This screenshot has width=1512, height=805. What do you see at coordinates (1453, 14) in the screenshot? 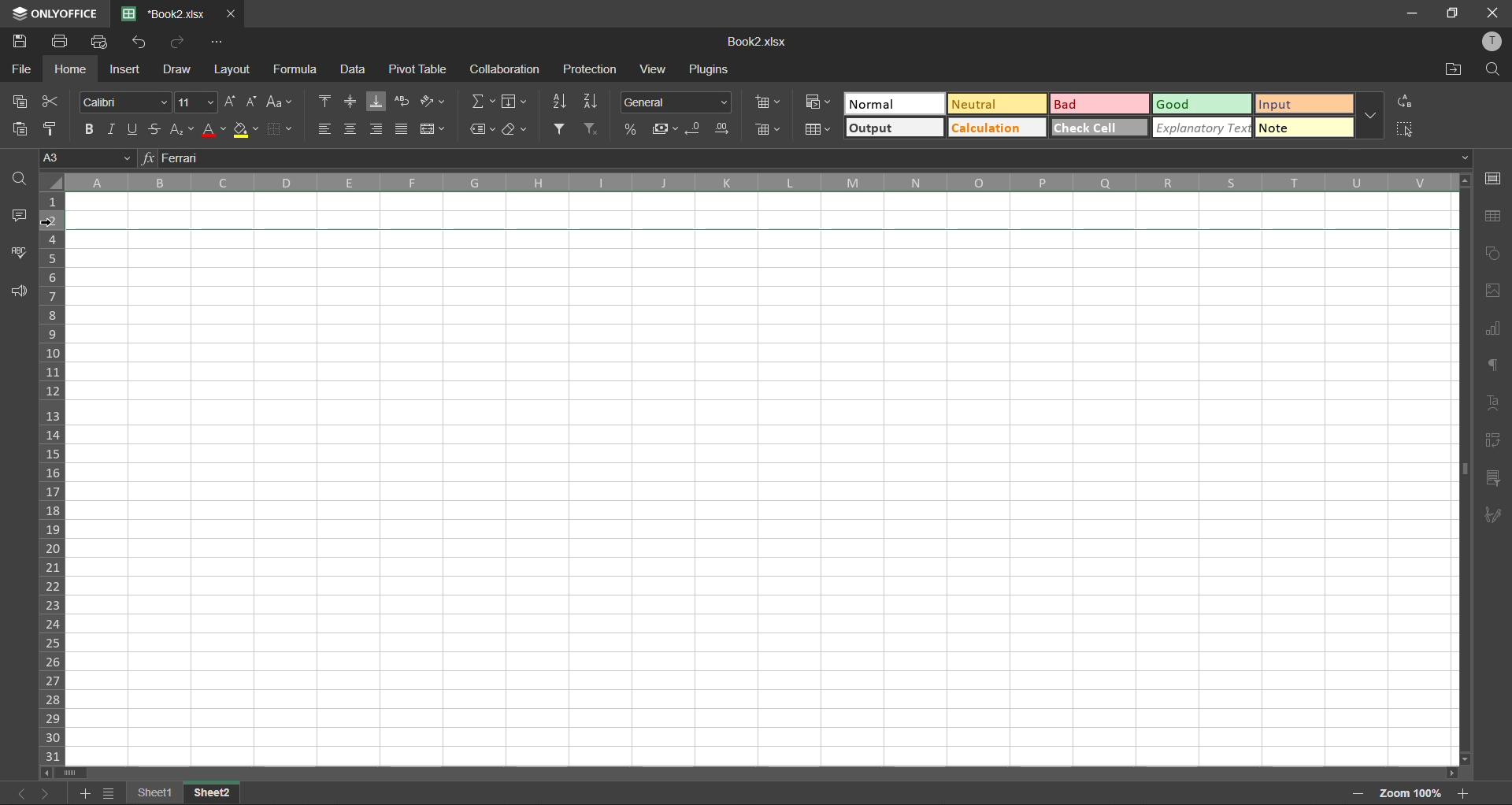
I see `maximize` at bounding box center [1453, 14].